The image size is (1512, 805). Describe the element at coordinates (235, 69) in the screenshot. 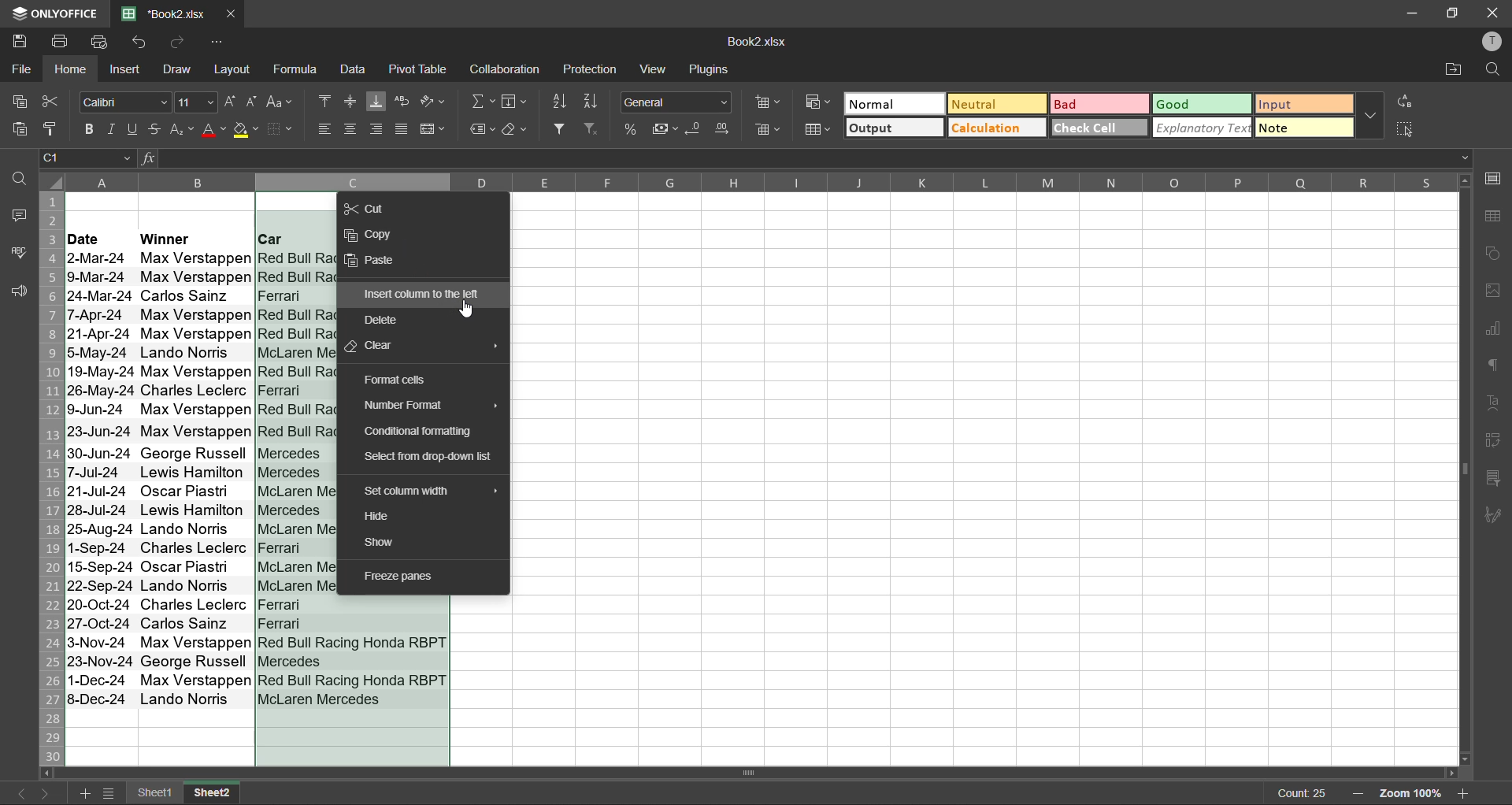

I see `layout` at that location.